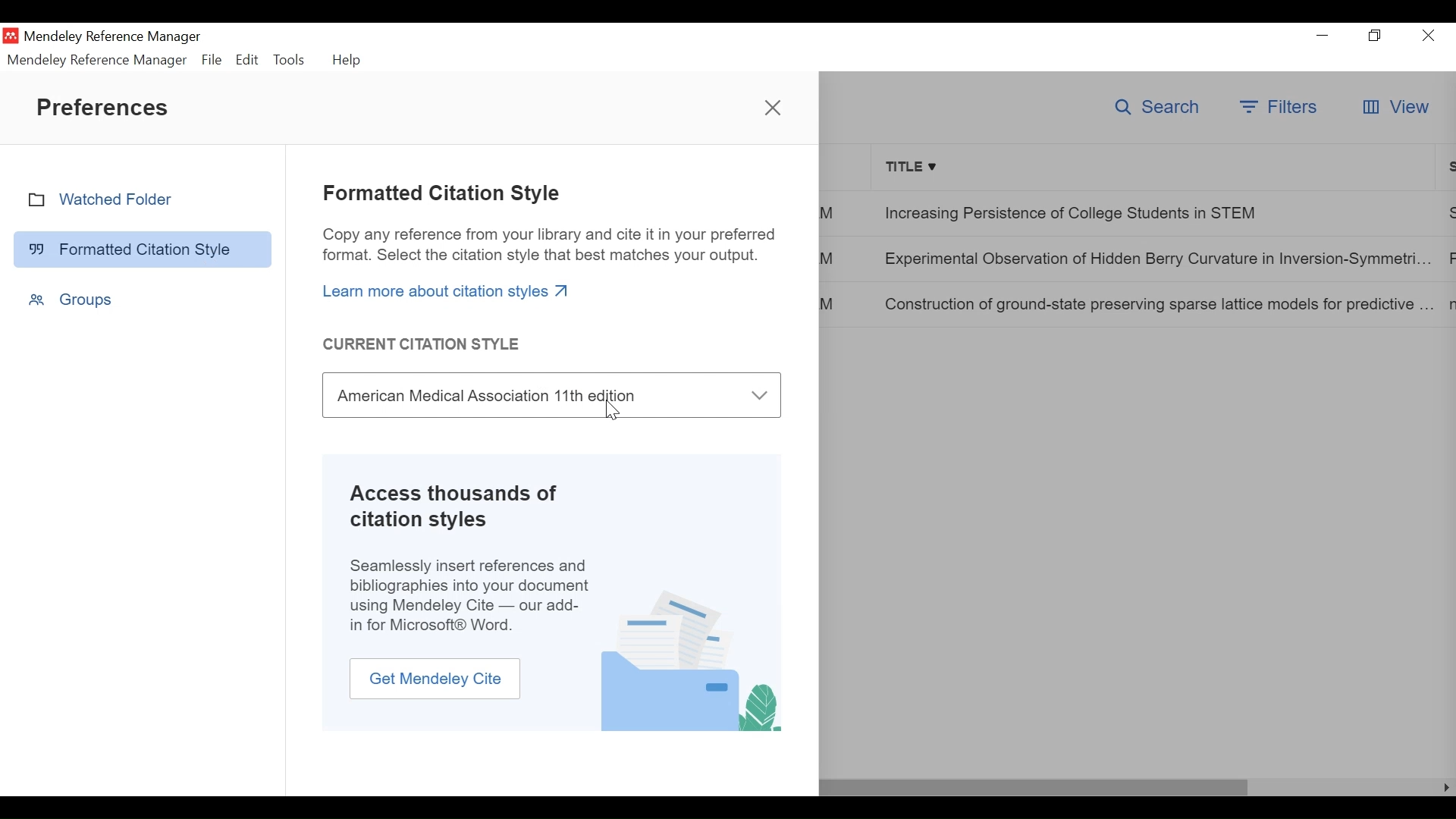  Describe the element at coordinates (436, 679) in the screenshot. I see `Get Mendeley Cite` at that location.